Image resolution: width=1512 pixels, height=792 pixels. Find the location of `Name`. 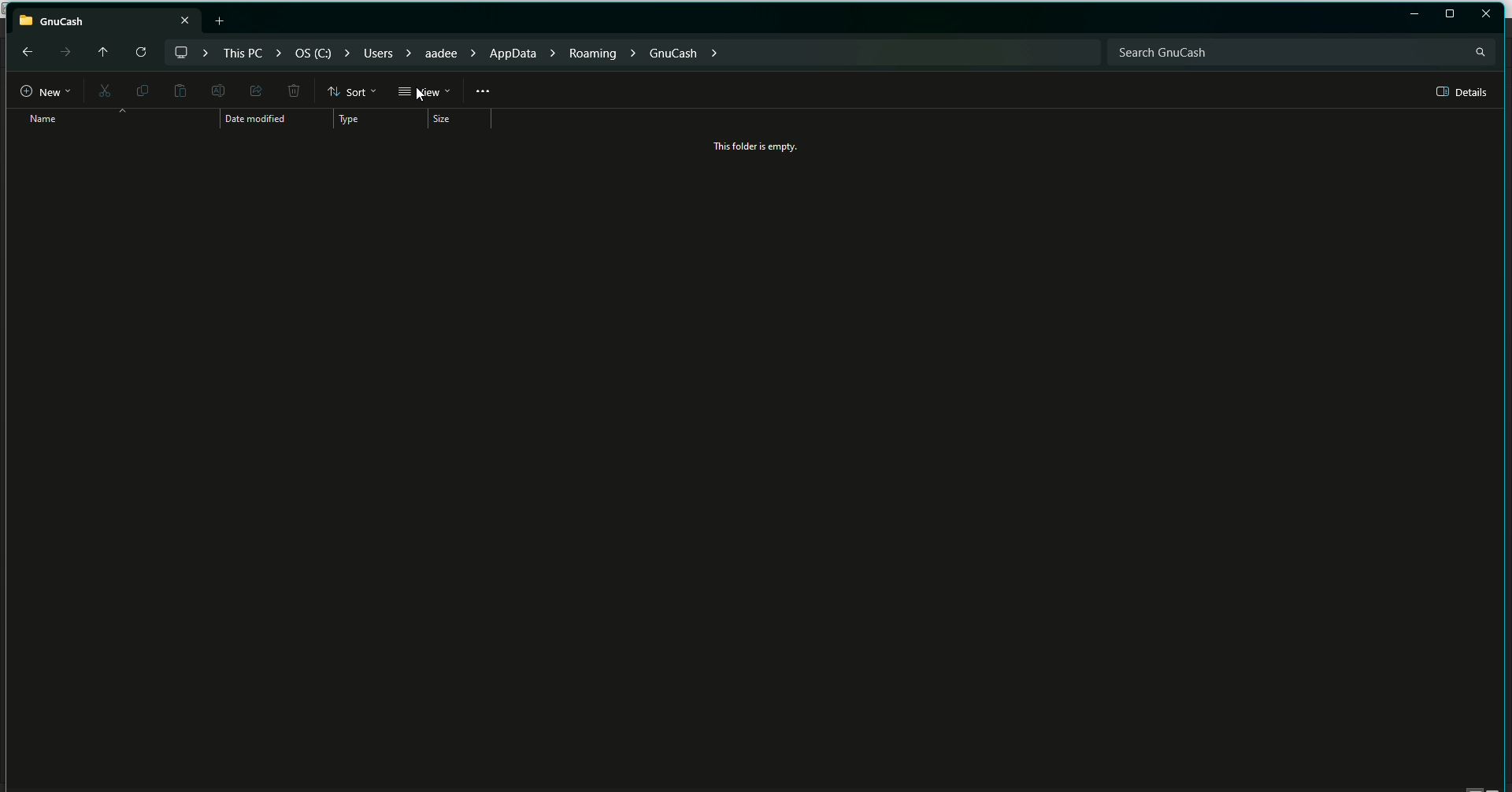

Name is located at coordinates (38, 119).